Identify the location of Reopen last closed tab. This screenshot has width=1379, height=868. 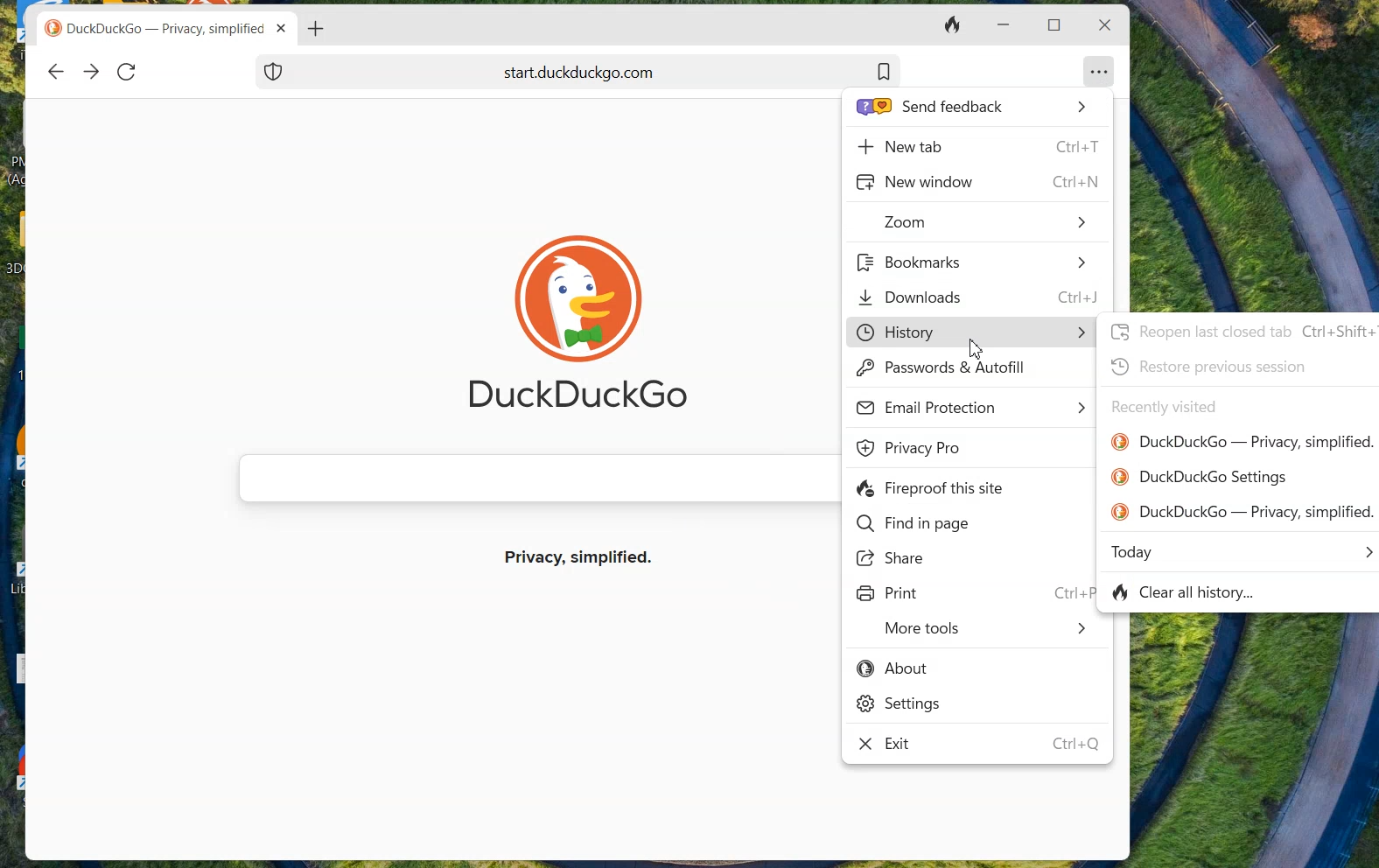
(1240, 331).